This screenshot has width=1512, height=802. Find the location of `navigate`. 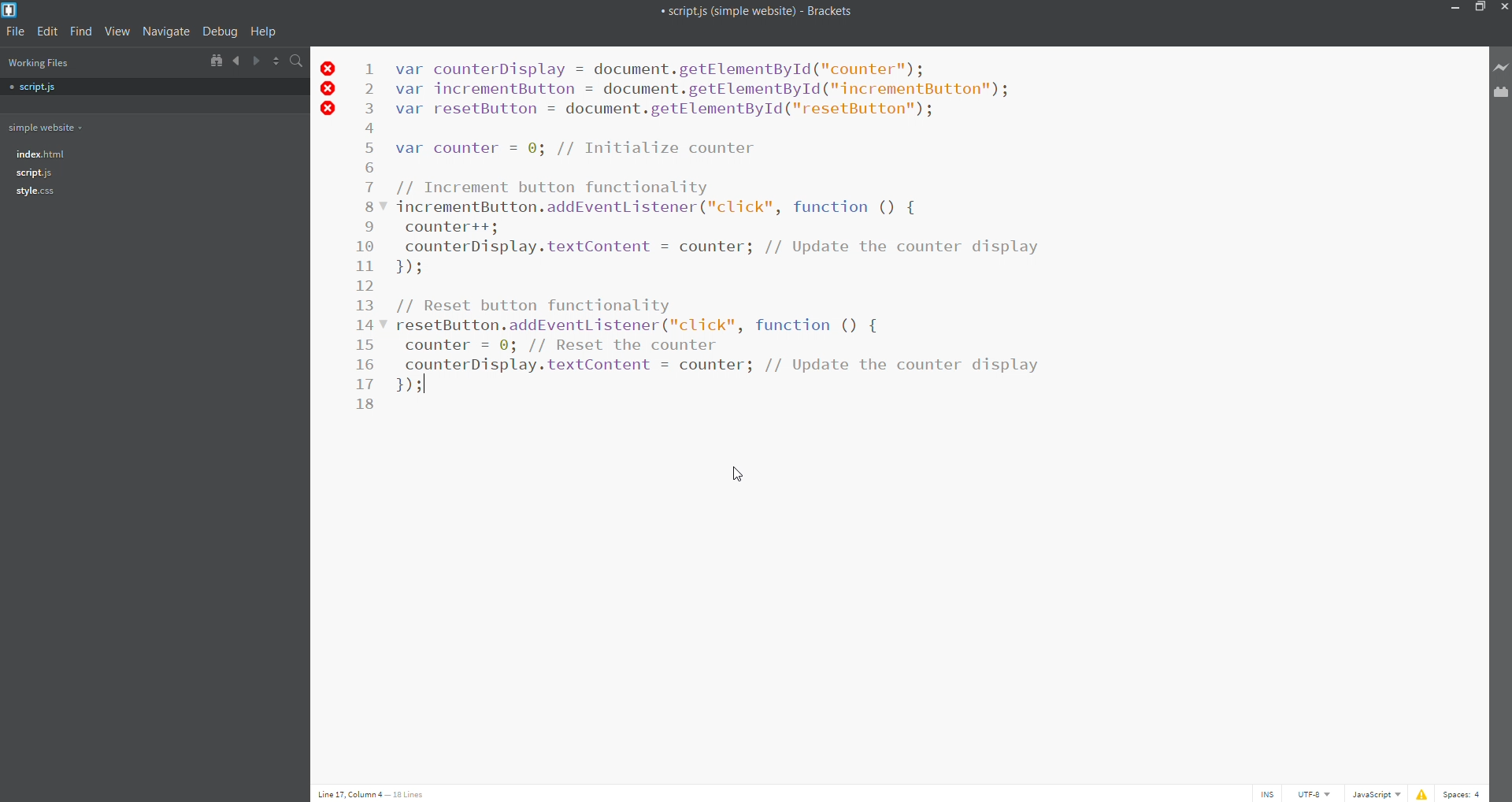

navigate is located at coordinates (165, 33).